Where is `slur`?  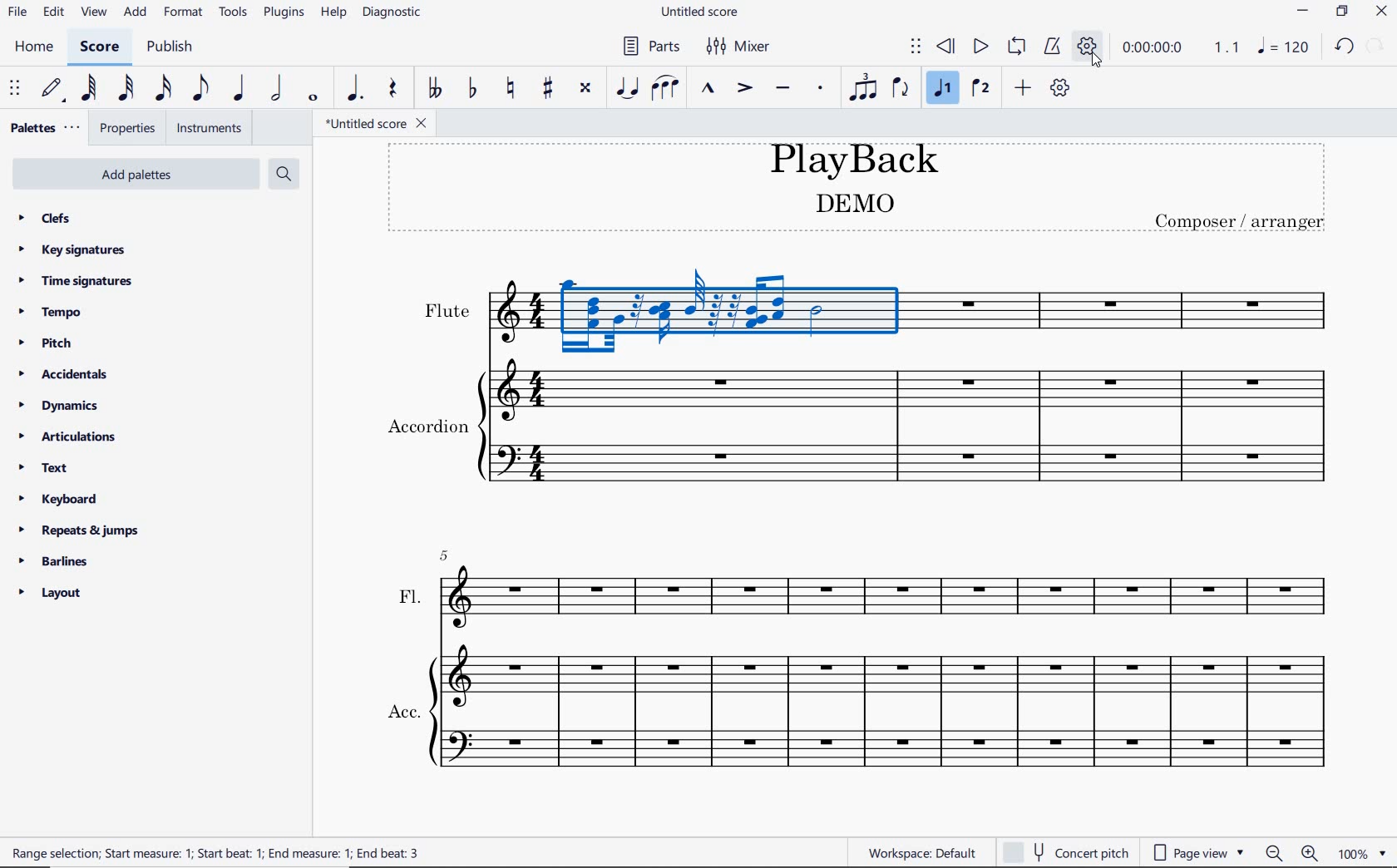
slur is located at coordinates (666, 89).